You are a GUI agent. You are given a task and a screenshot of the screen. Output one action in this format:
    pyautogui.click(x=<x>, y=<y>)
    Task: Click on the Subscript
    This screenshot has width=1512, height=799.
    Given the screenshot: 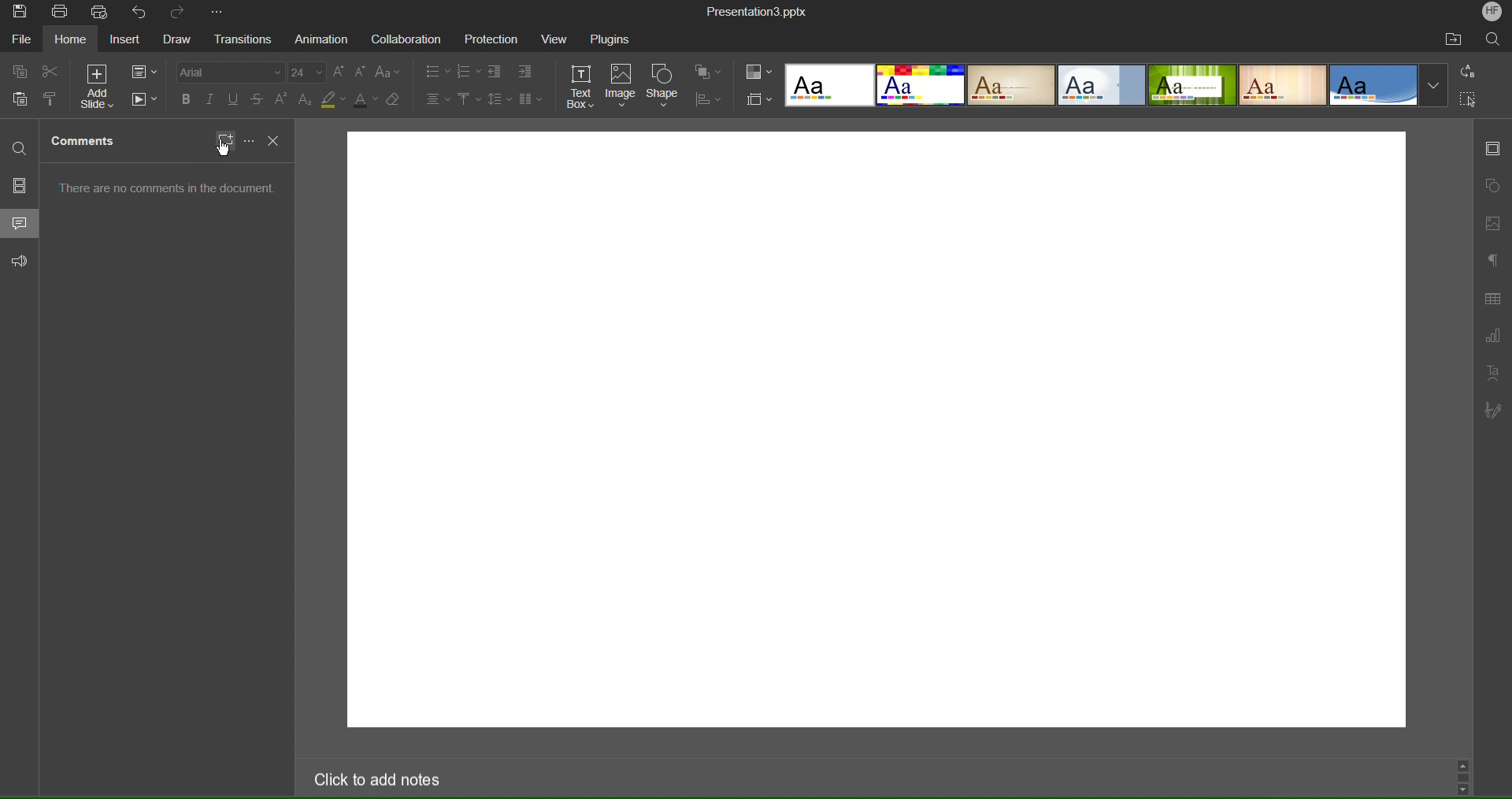 What is the action you would take?
    pyautogui.click(x=306, y=100)
    